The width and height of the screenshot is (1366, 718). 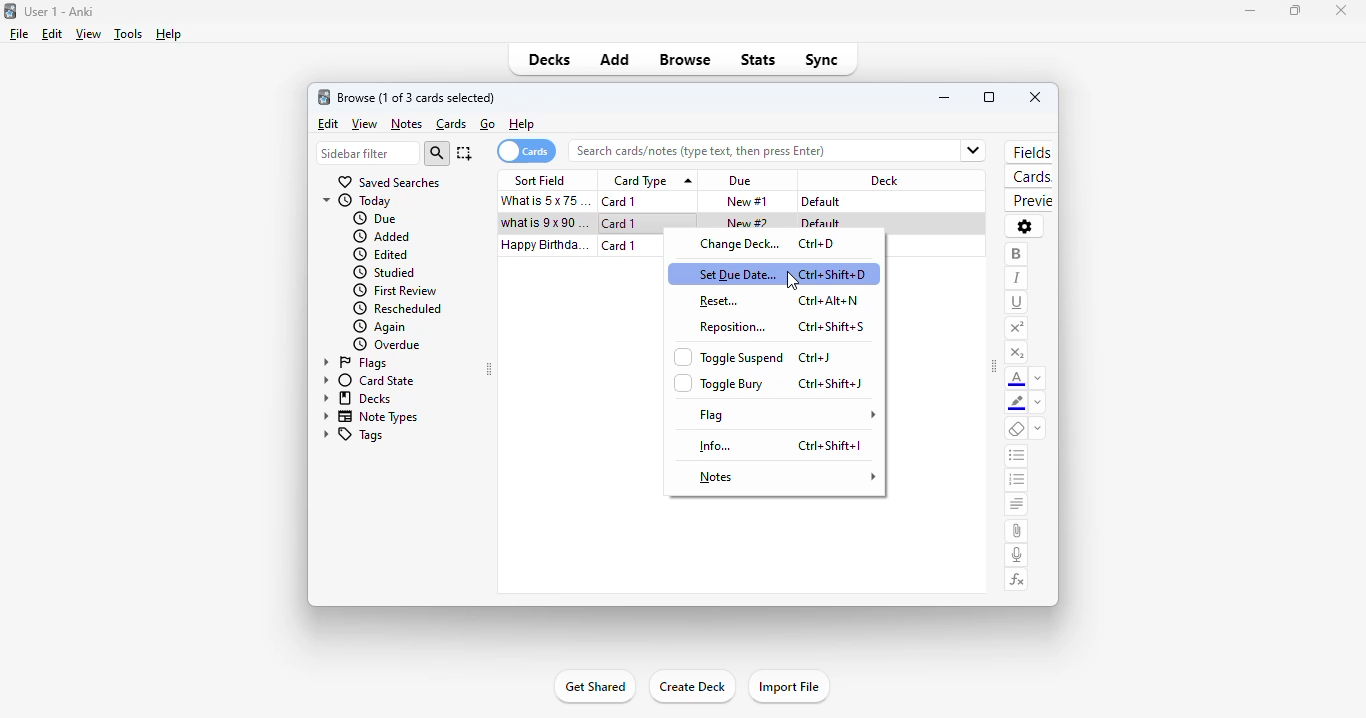 I want to click on cards, so click(x=452, y=125).